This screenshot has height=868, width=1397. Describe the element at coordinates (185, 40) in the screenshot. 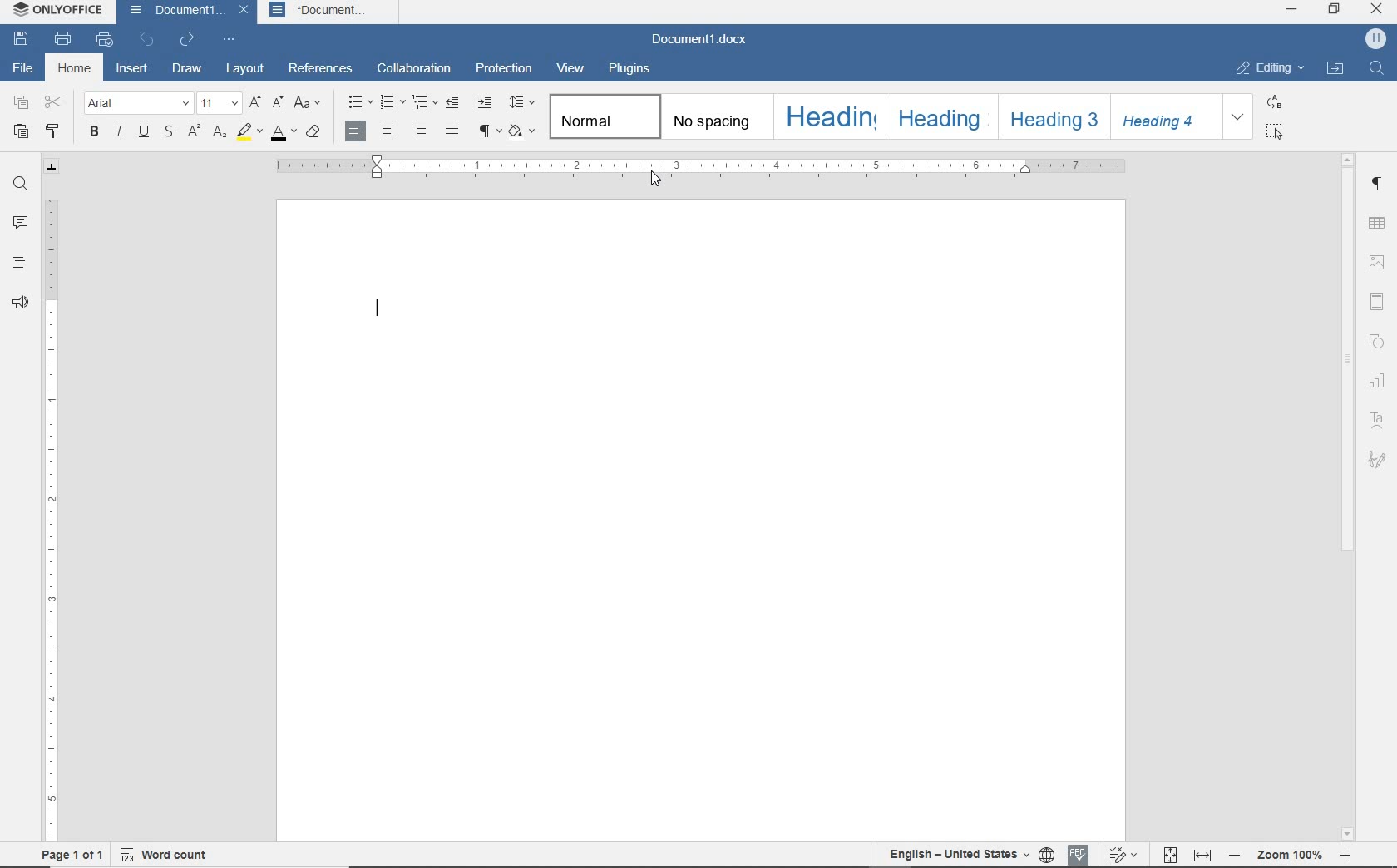

I see `REDO` at that location.